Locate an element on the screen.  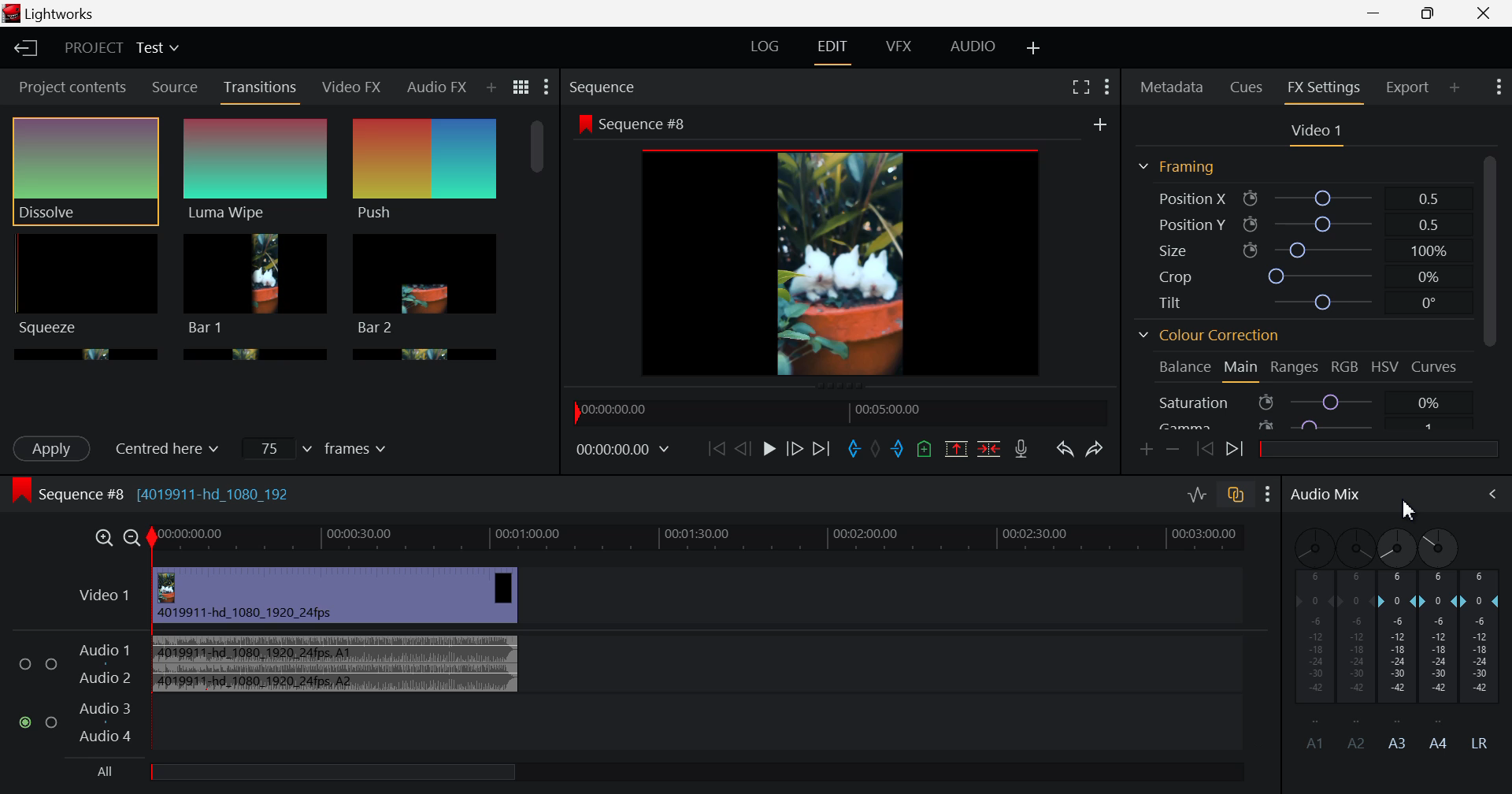
Show Settings is located at coordinates (1106, 87).